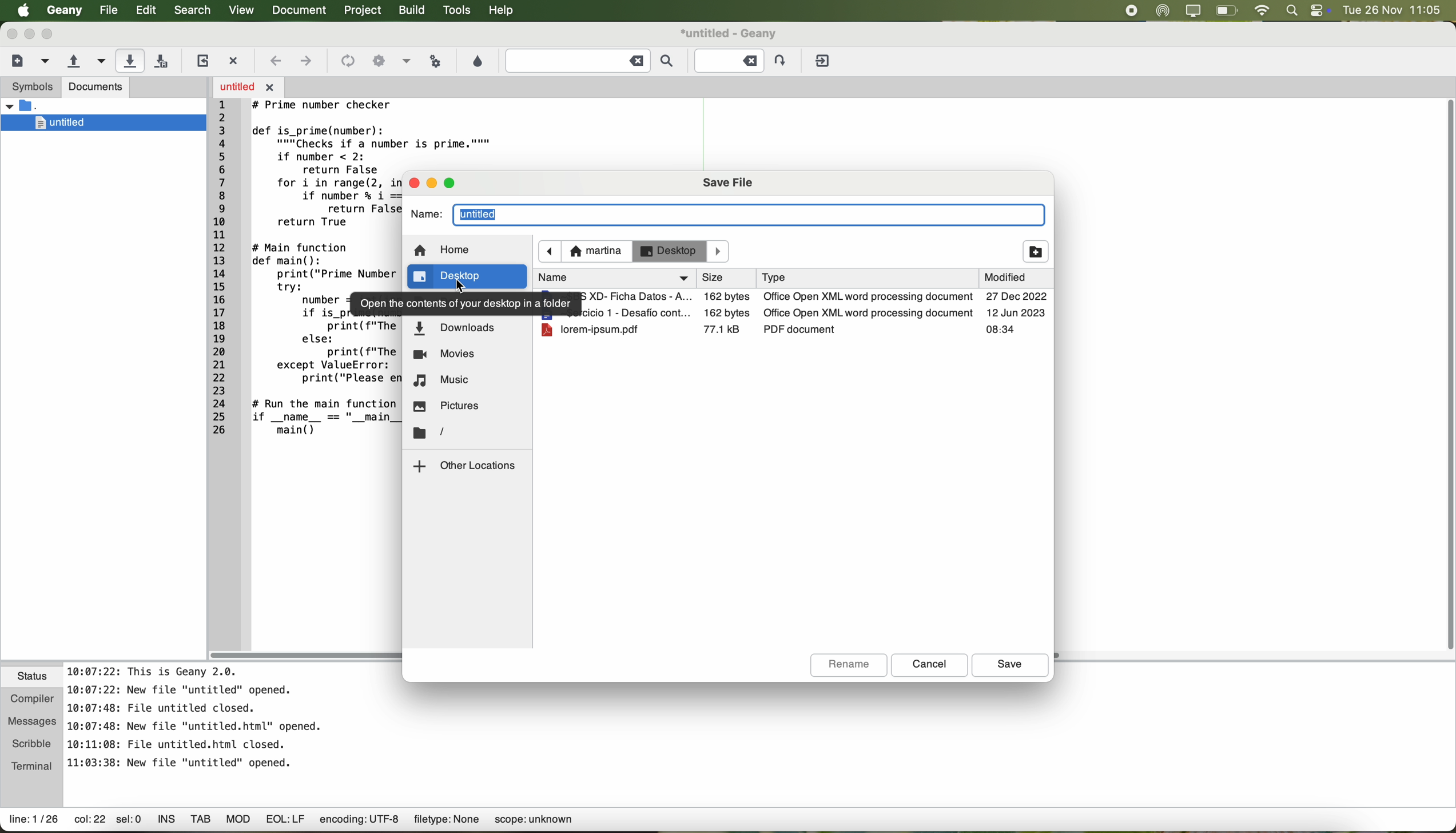  What do you see at coordinates (17, 61) in the screenshot?
I see `create a new file` at bounding box center [17, 61].